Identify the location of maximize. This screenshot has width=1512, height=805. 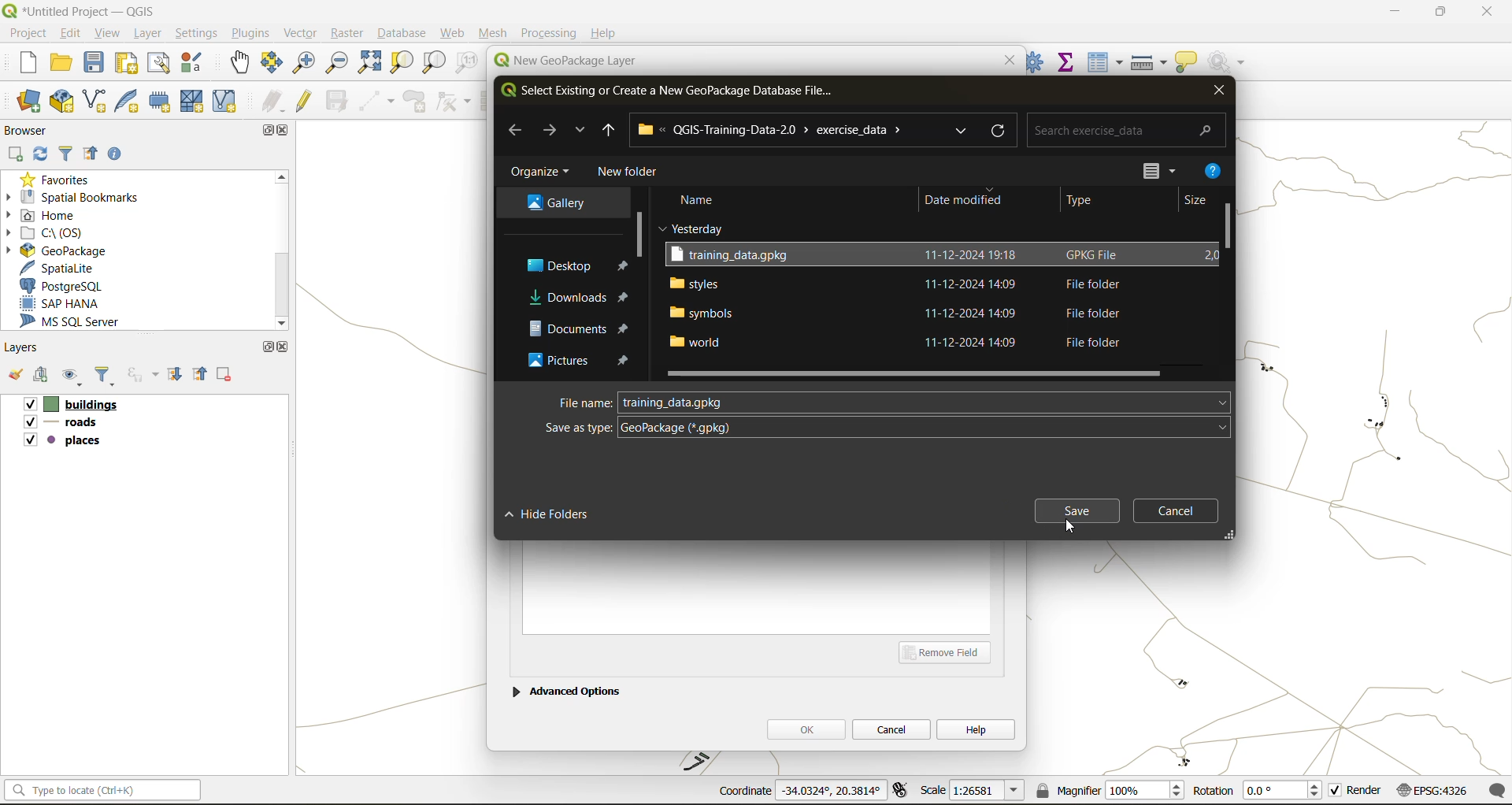
(265, 130).